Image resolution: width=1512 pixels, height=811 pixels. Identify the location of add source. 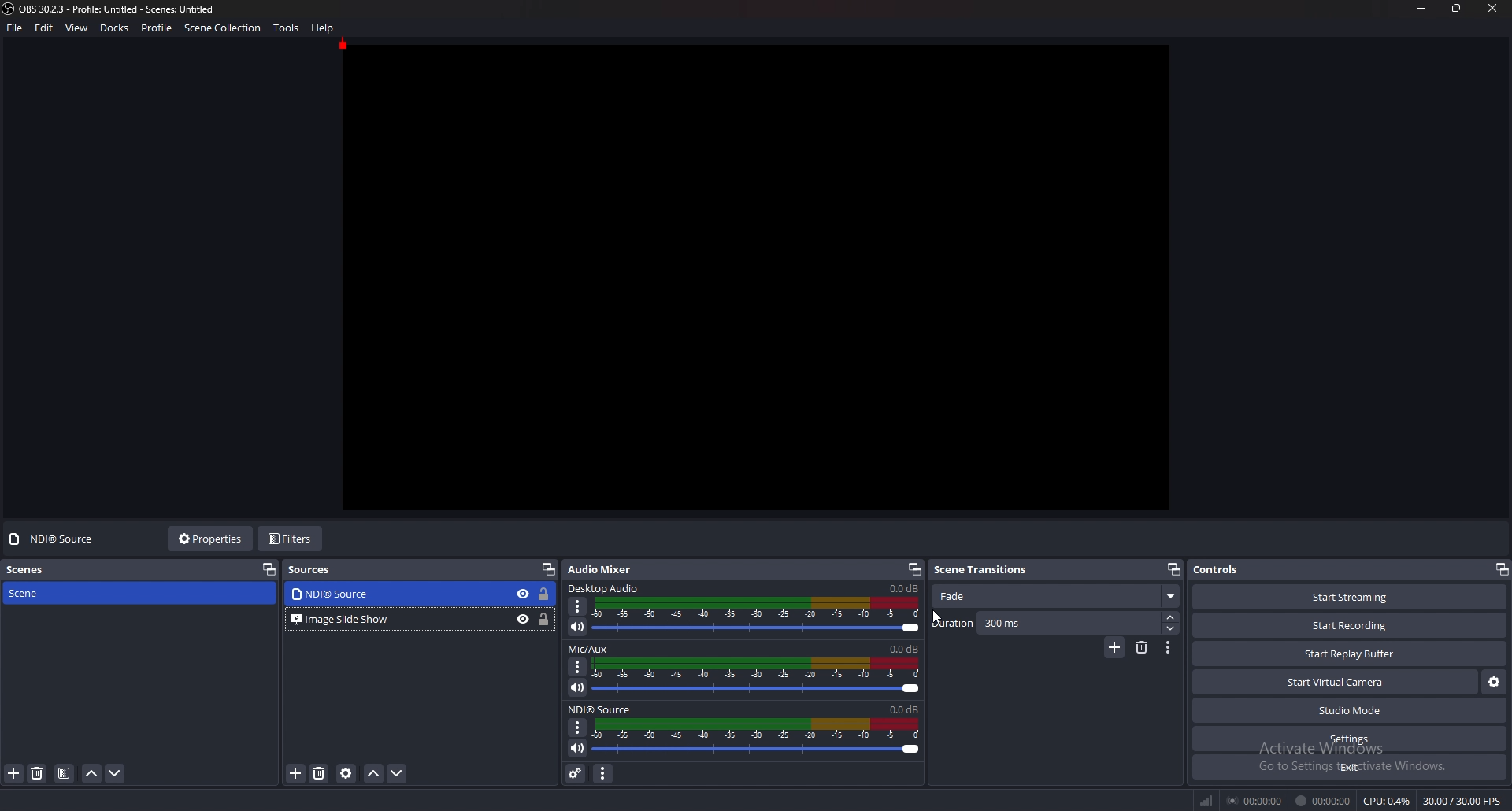
(296, 772).